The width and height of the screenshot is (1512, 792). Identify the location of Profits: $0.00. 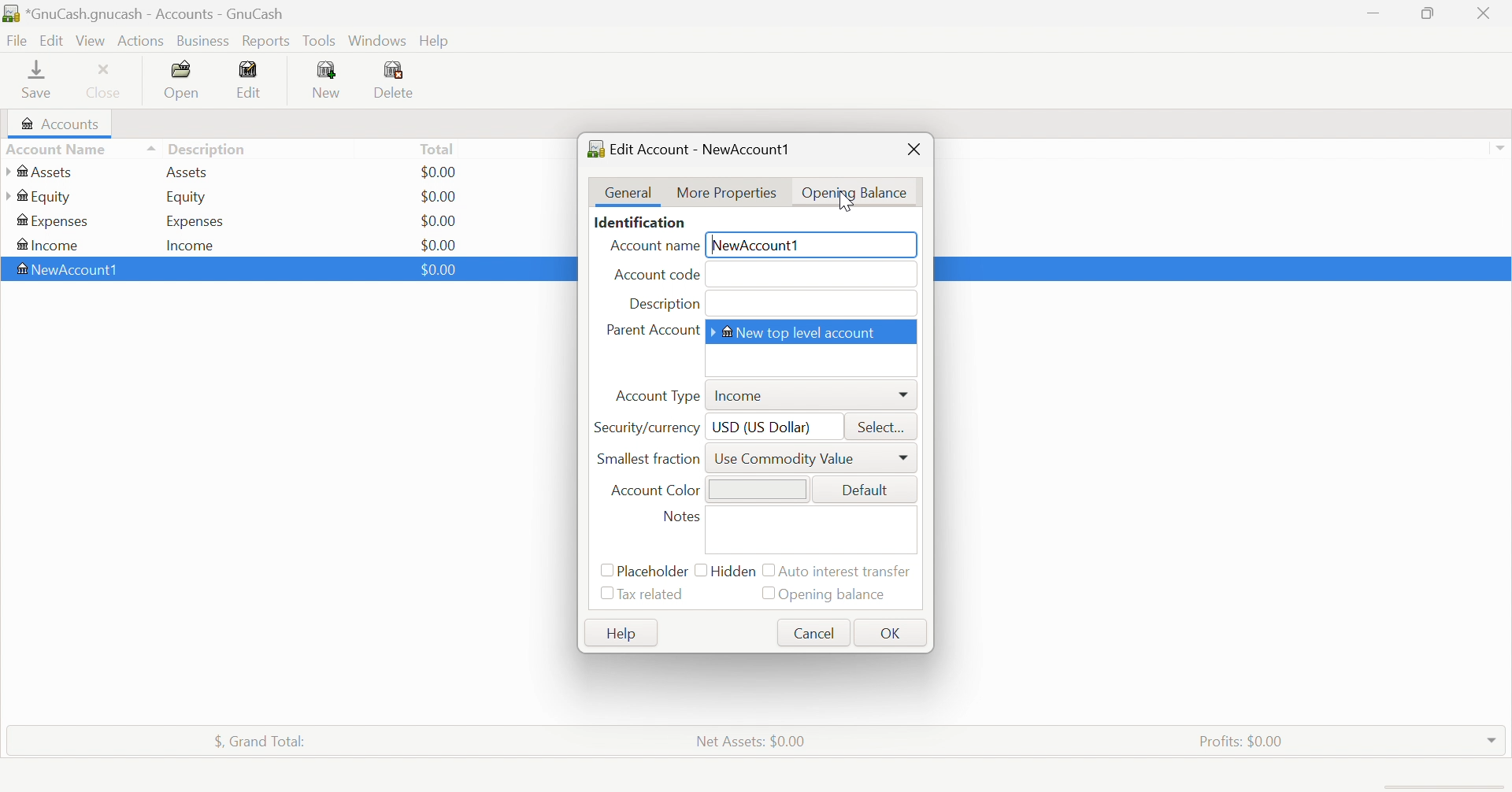
(1240, 739).